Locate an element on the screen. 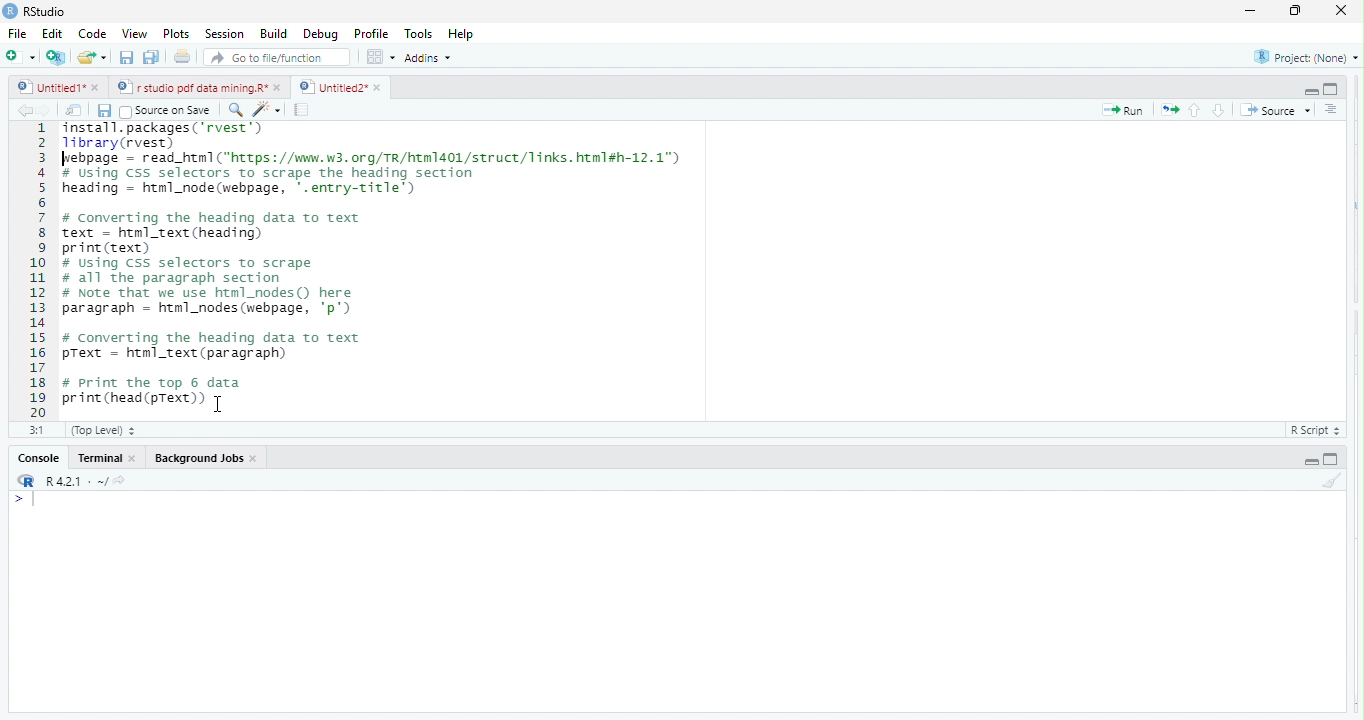  SESTATE. PELEIgESL. Vewes J
Tibrary(rvest)|

Febpage = read_htm1 (https: //mm.w3. org/TR/htm1401/struct/Tinks. html#h-12.1")
# Using Css selectors to scrape the heading section

heading = html_node (webpage, '.entry-title')

# Converting the heading data to text

text = htnl_text (heading)

print (text)

# using Css selectors to scrape

# all the paragraph section

# Note that we use html_nodes() here

paragraph = html_nodes (webpage, 'p')

# Converting the heading data to text

pText = html_text (paragraph)

# Print the top 6 data

pl by -silhary-. +304 is located at coordinates (440, 268).